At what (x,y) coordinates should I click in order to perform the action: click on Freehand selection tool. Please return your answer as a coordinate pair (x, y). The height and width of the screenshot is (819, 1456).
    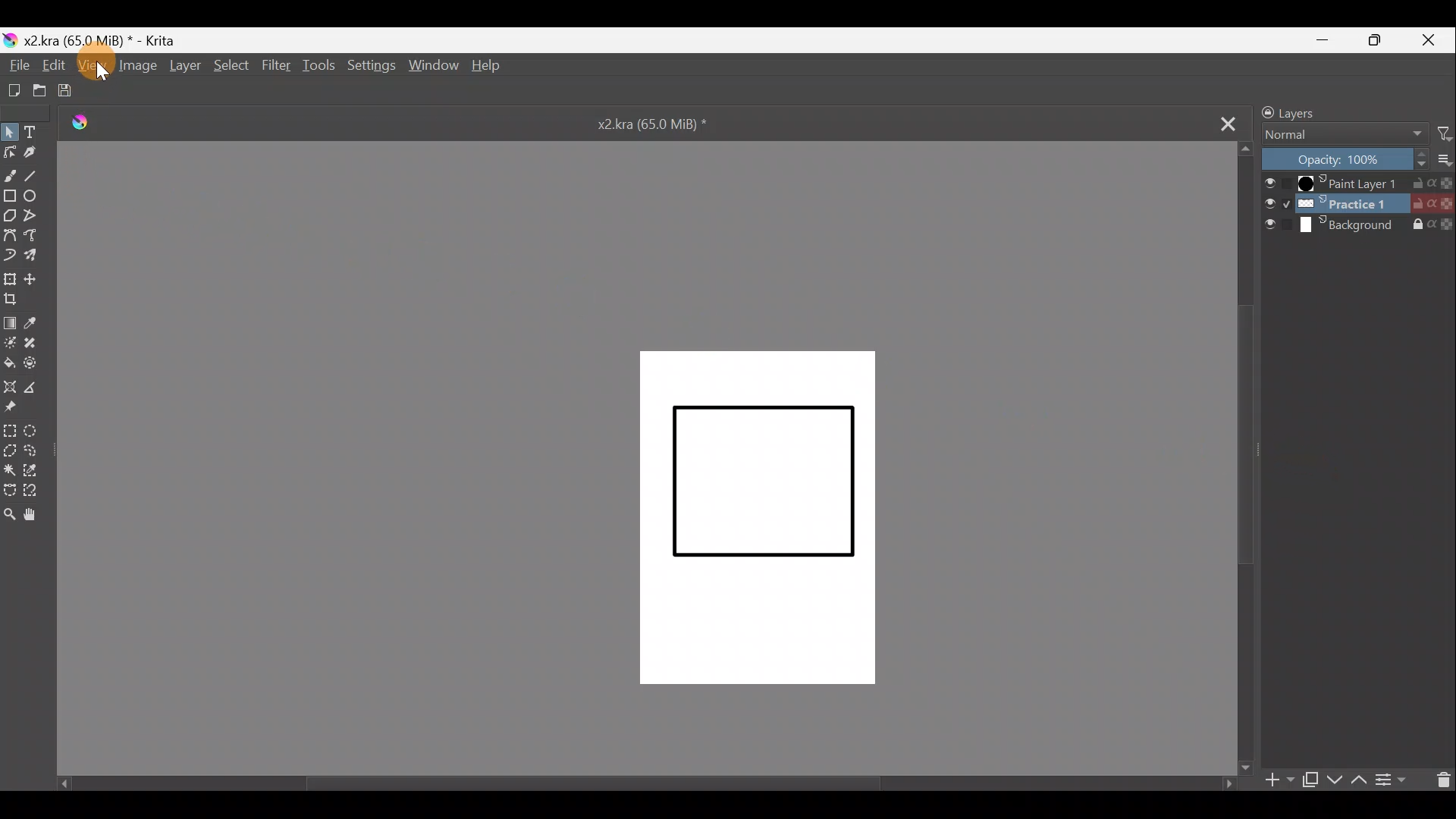
    Looking at the image, I should click on (39, 453).